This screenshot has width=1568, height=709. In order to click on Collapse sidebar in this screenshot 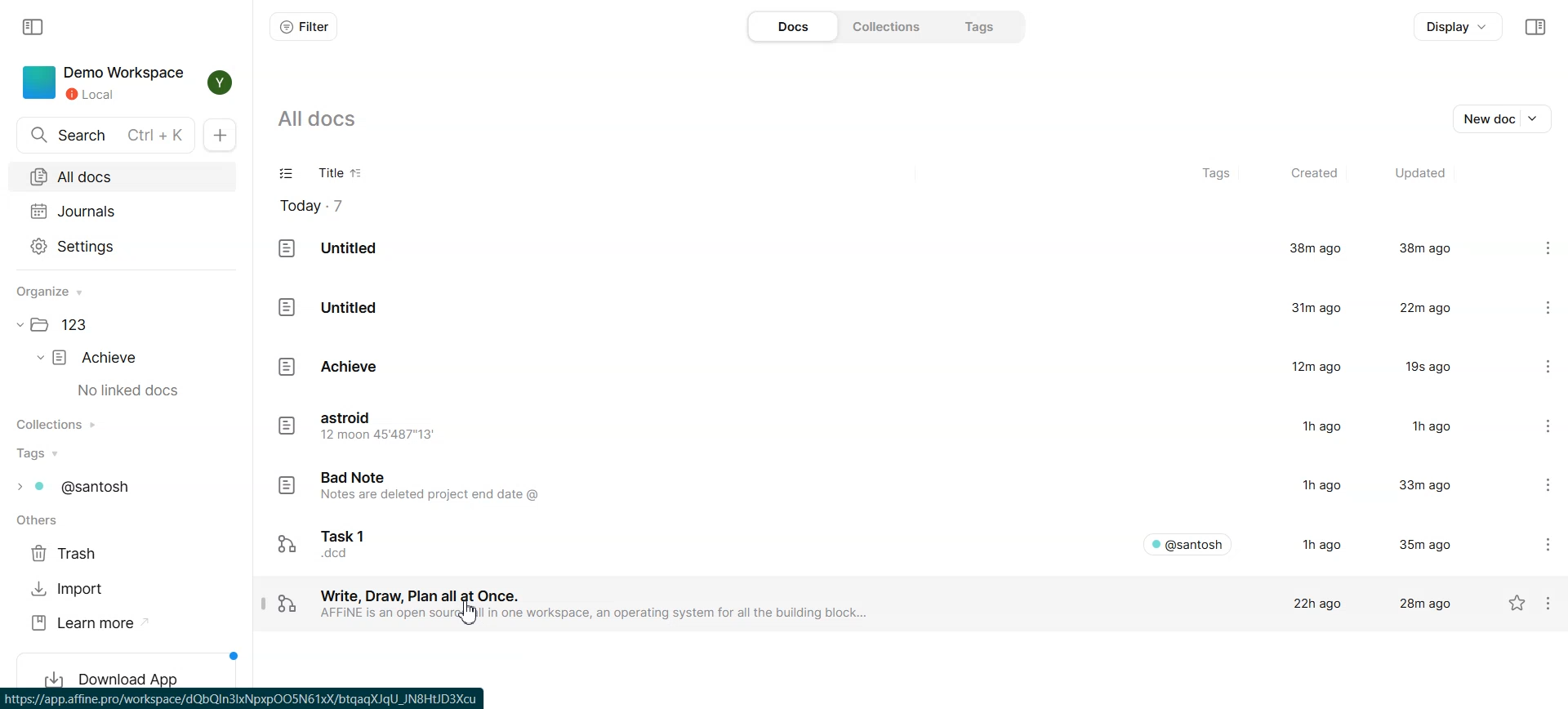, I will do `click(35, 25)`.